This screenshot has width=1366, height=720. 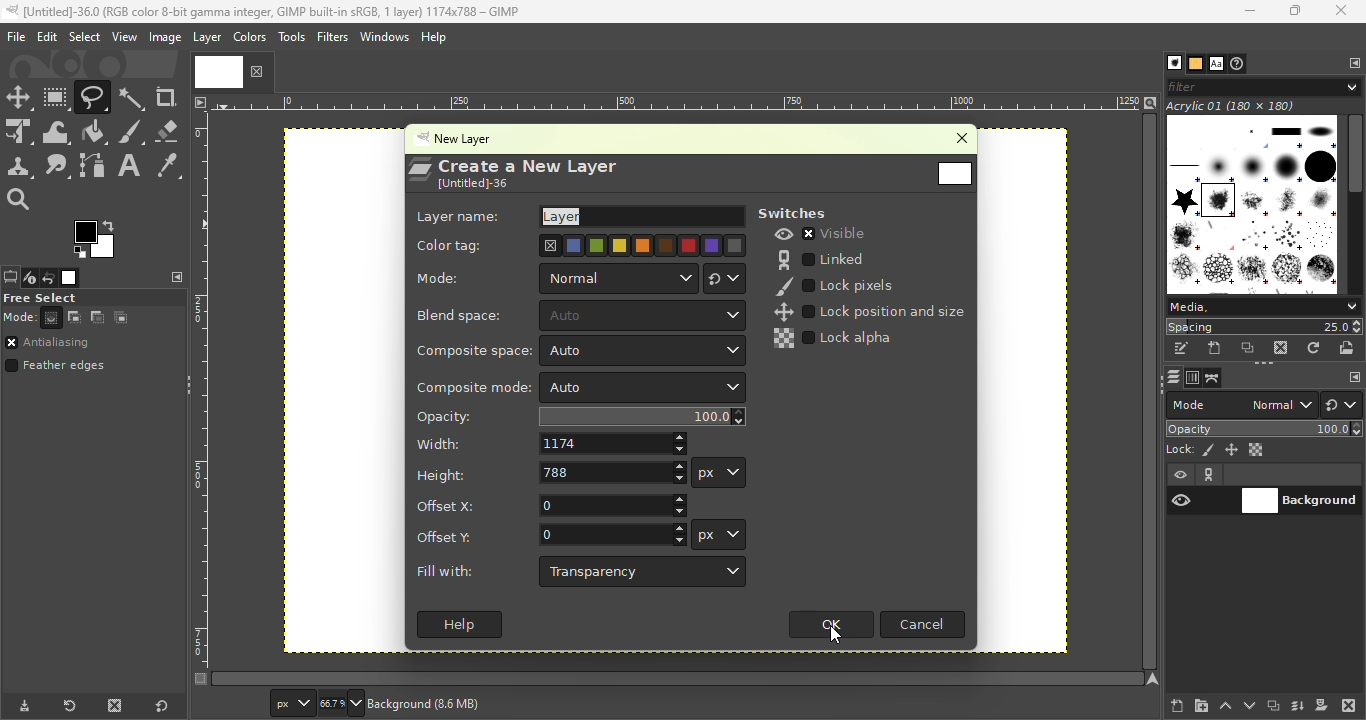 What do you see at coordinates (1356, 204) in the screenshot?
I see `Horizontal scroll bar` at bounding box center [1356, 204].